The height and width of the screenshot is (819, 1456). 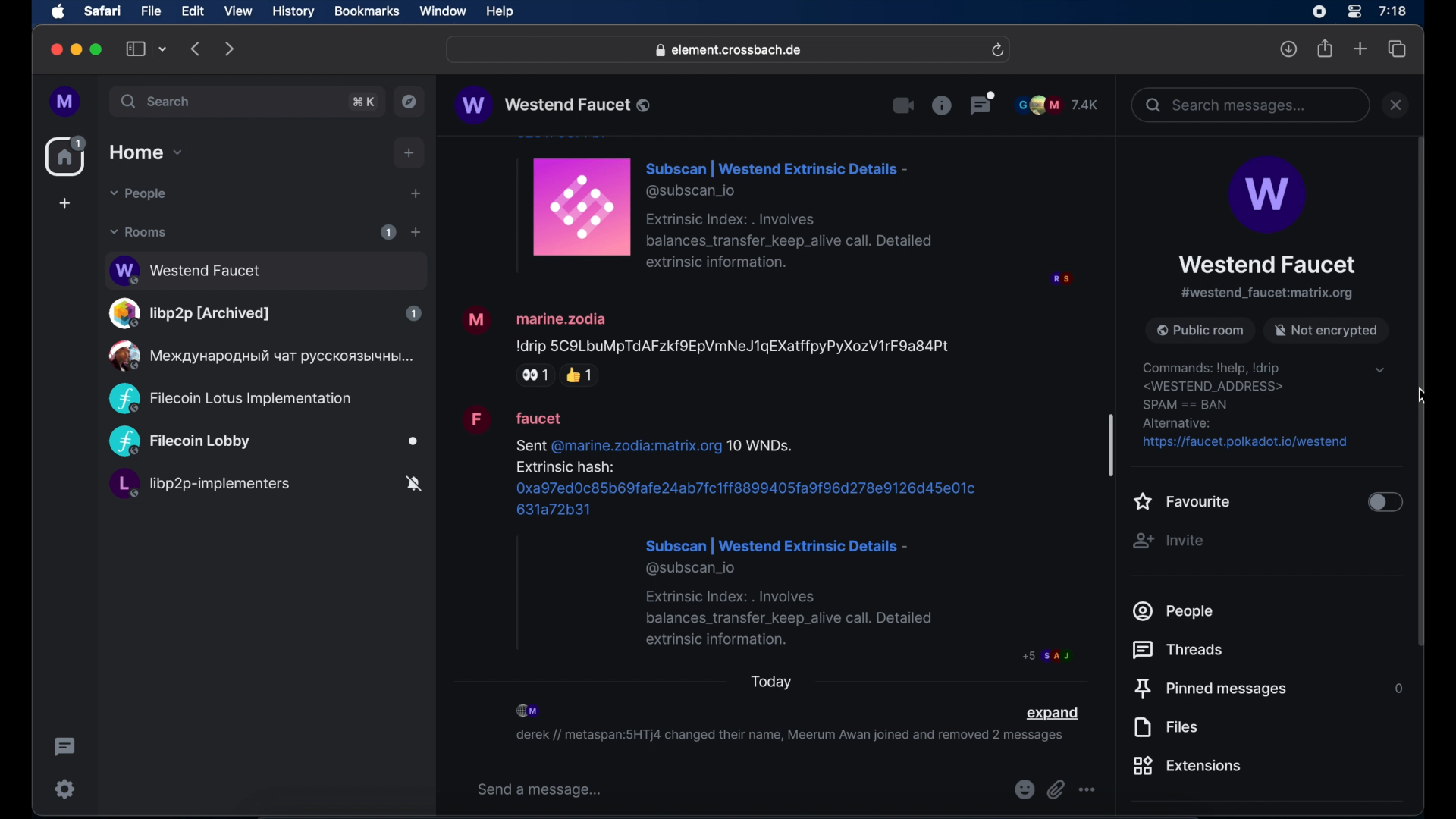 I want to click on forward, so click(x=230, y=49).